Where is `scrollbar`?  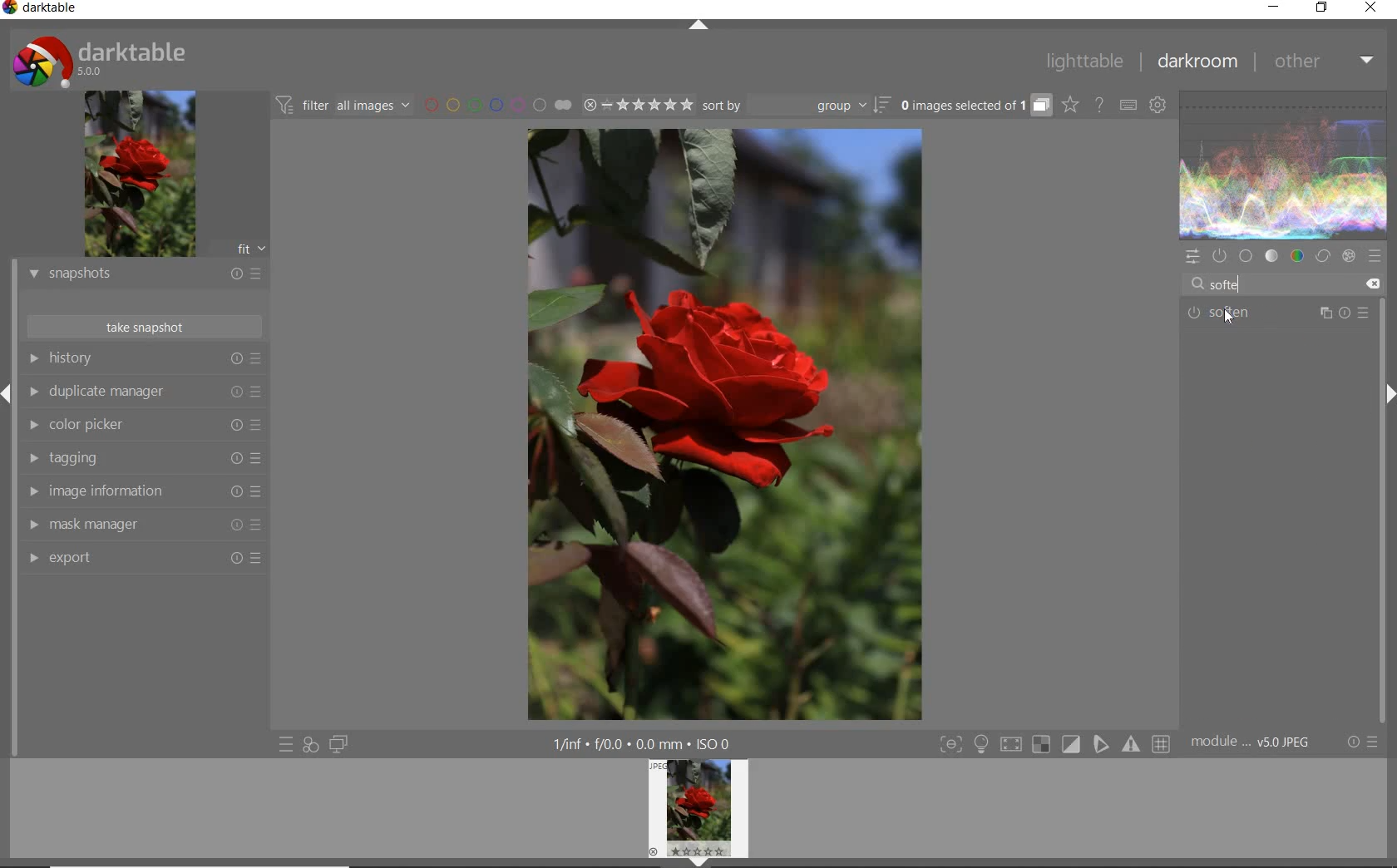
scrollbar is located at coordinates (1382, 452).